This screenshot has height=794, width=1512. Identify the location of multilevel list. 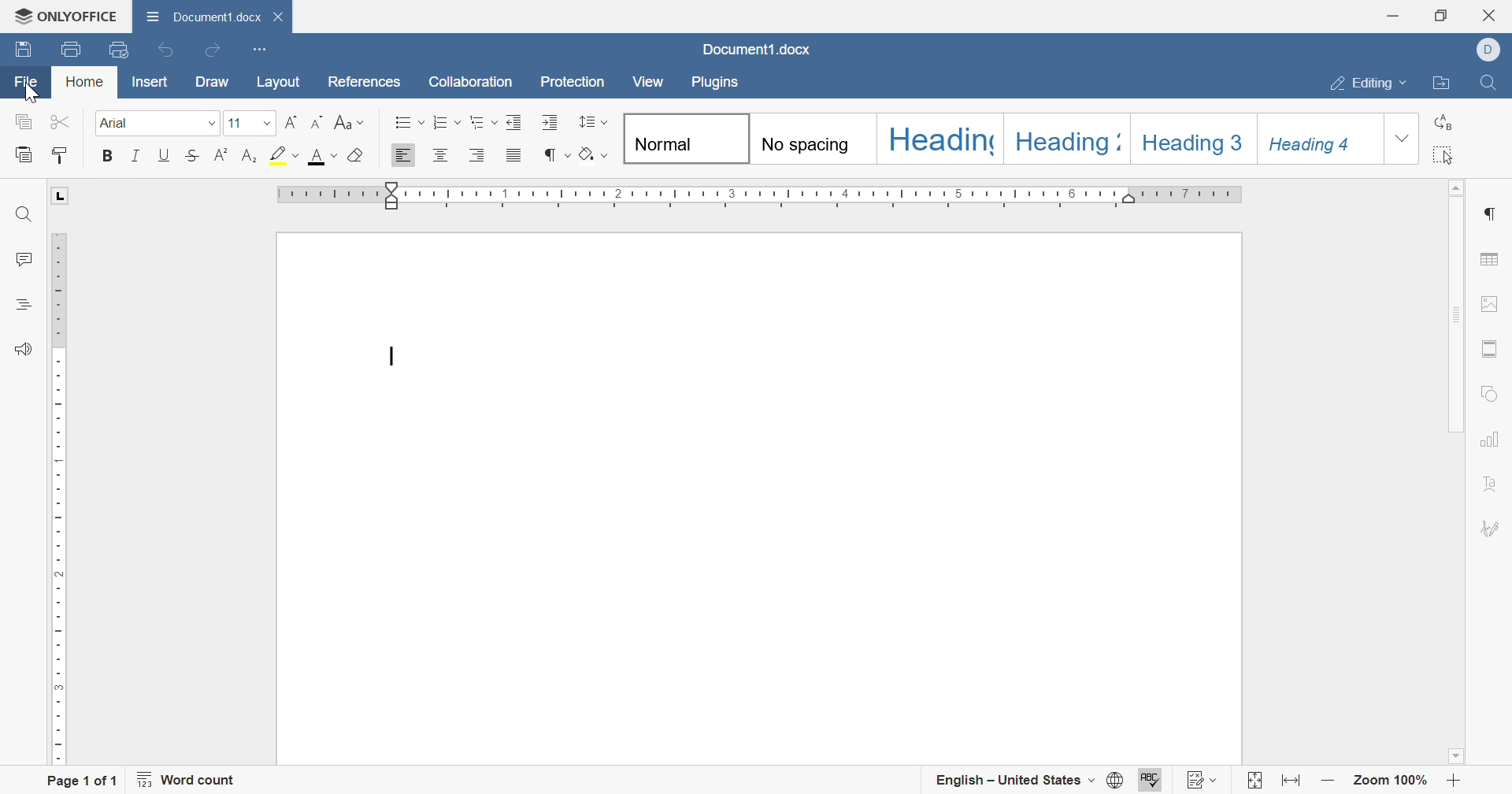
(484, 122).